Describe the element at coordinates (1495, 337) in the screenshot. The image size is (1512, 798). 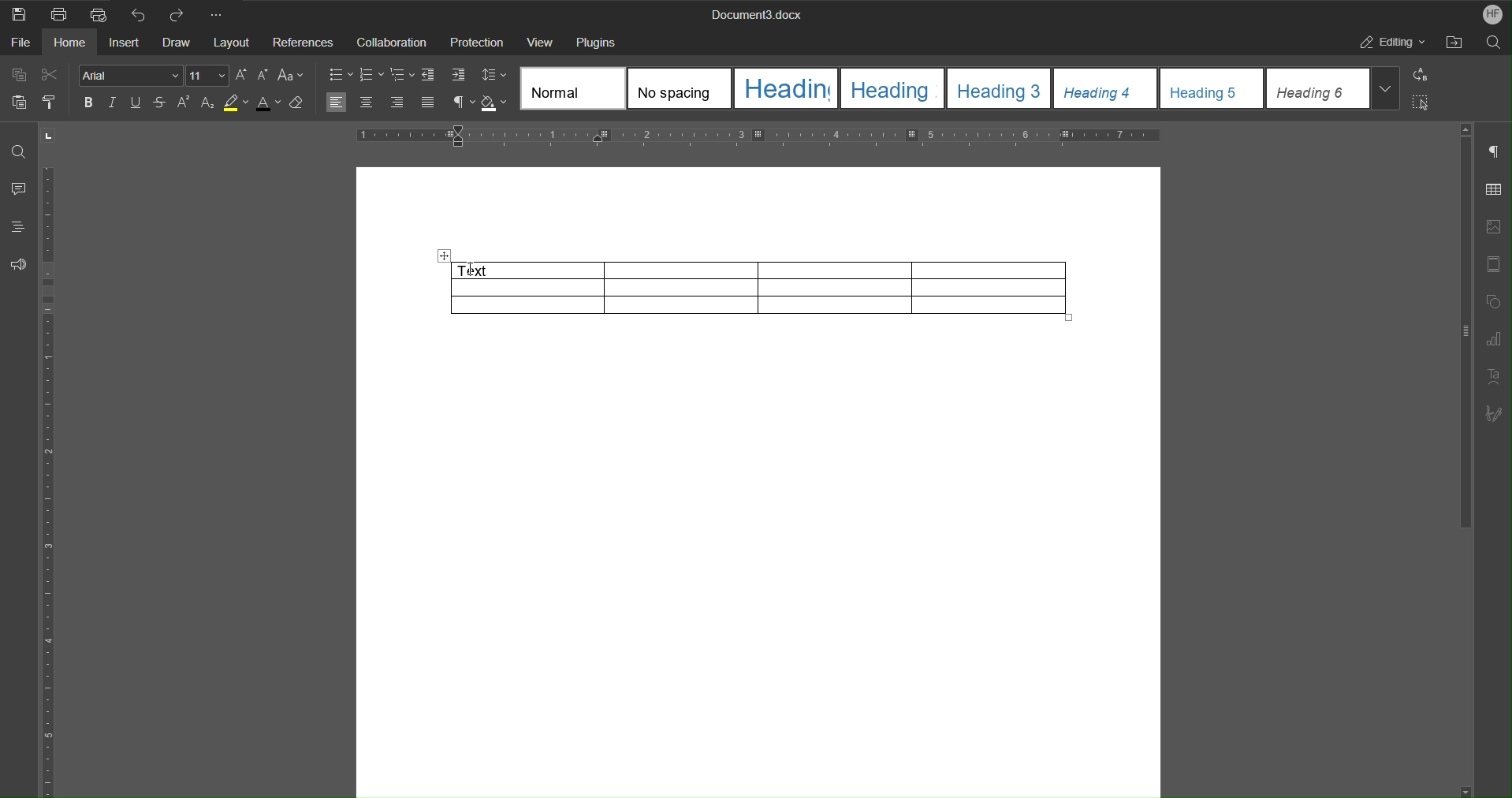
I see `Graph Settings` at that location.